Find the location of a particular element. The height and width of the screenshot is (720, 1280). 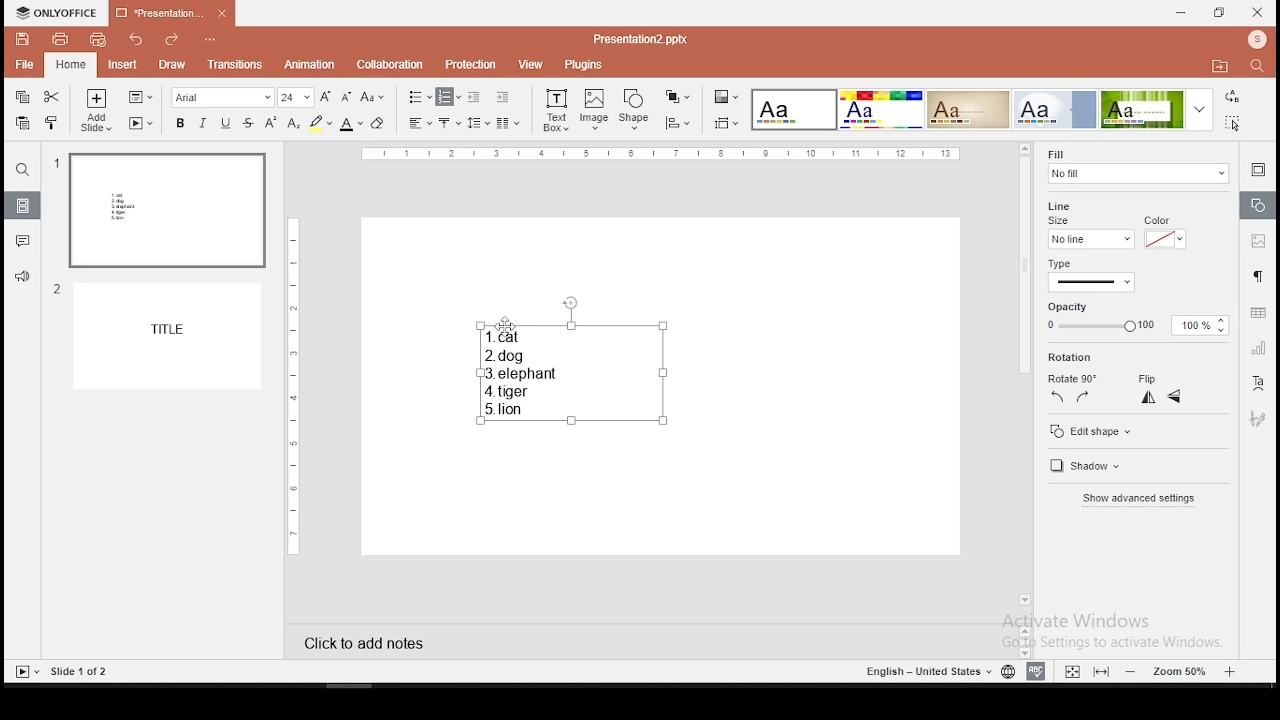

find is located at coordinates (21, 170).